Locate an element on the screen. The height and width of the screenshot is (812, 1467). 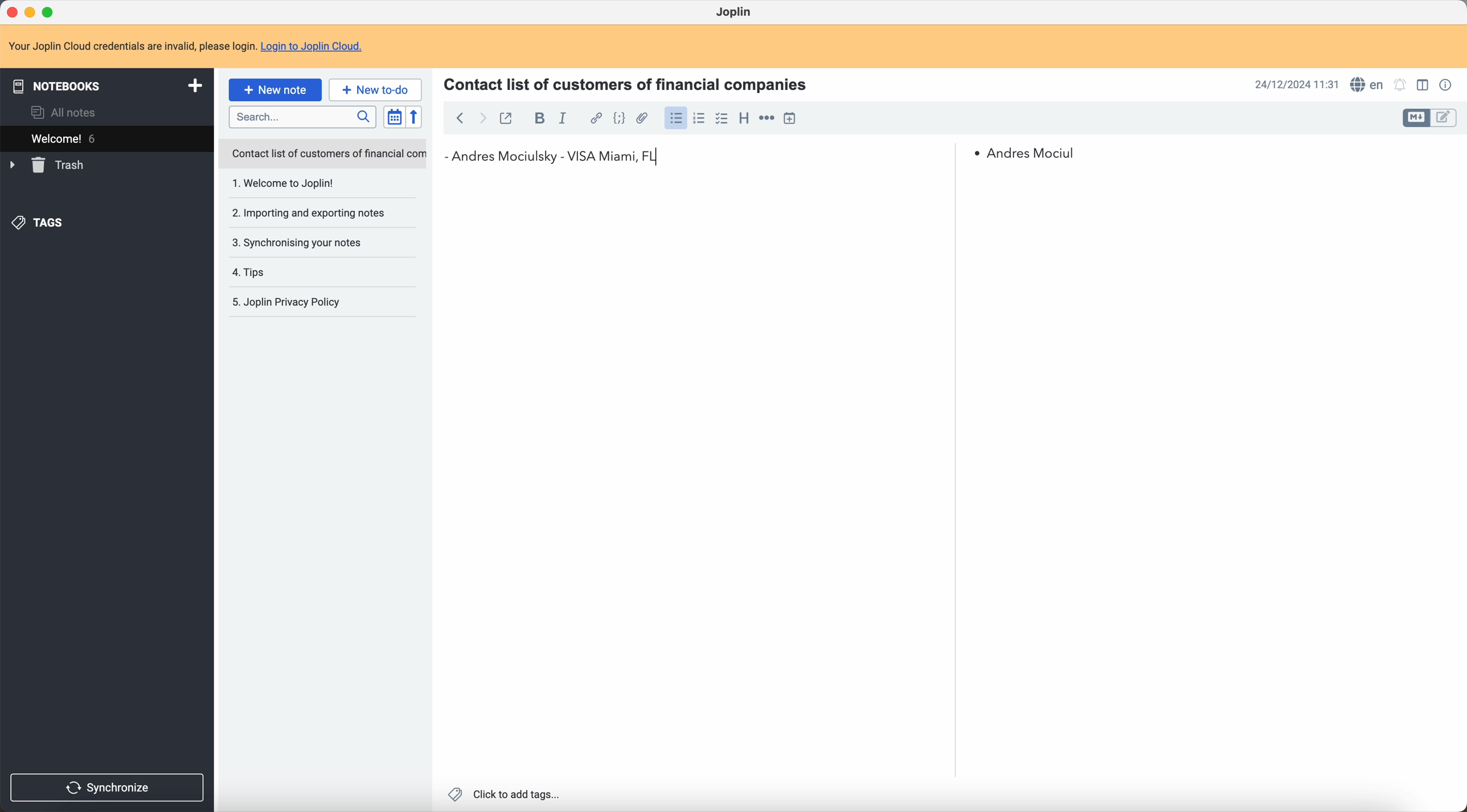
scroll bar is located at coordinates (1458, 255).